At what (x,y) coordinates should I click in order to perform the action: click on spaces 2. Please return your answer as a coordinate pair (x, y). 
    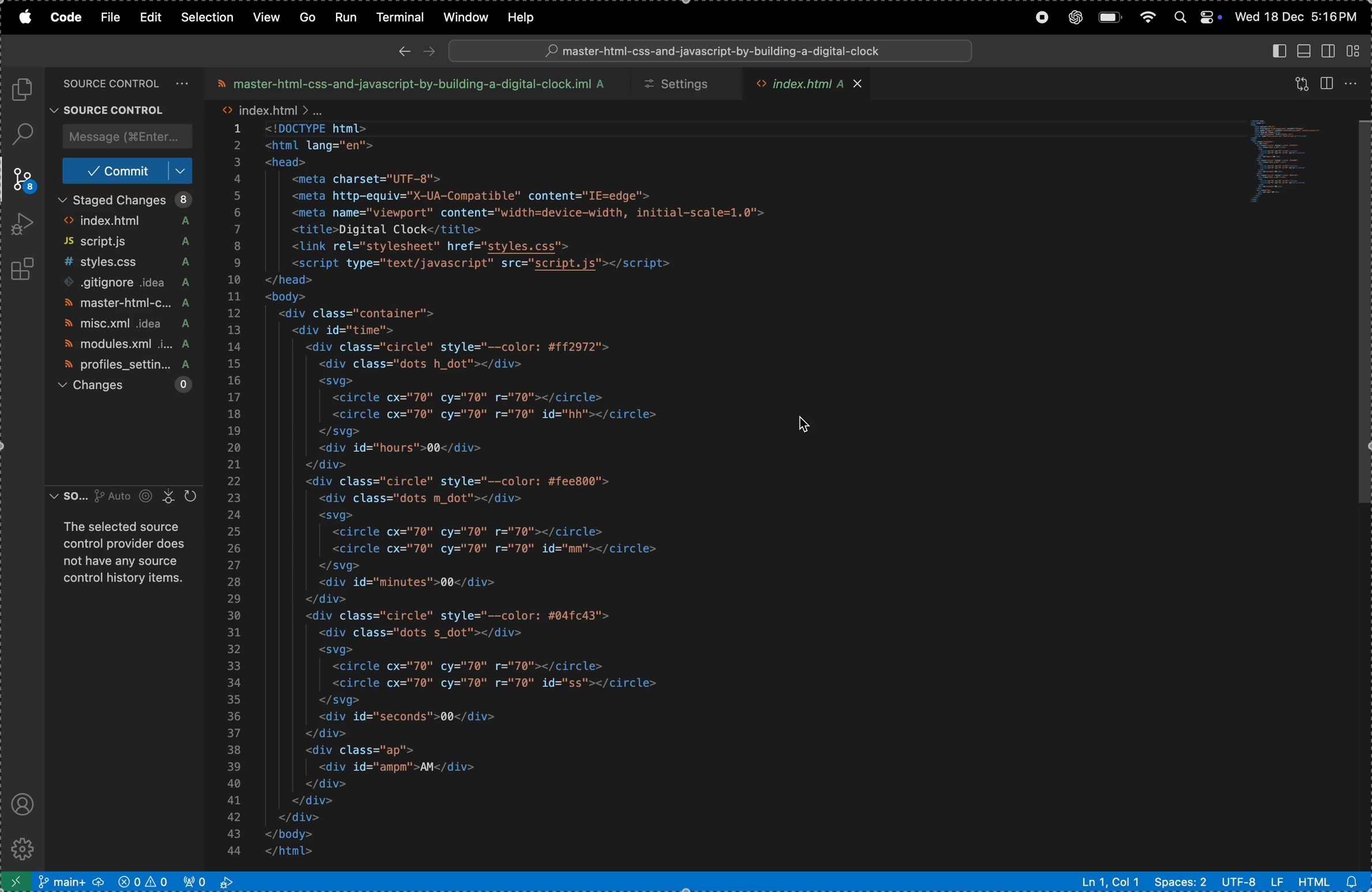
    Looking at the image, I should click on (1182, 882).